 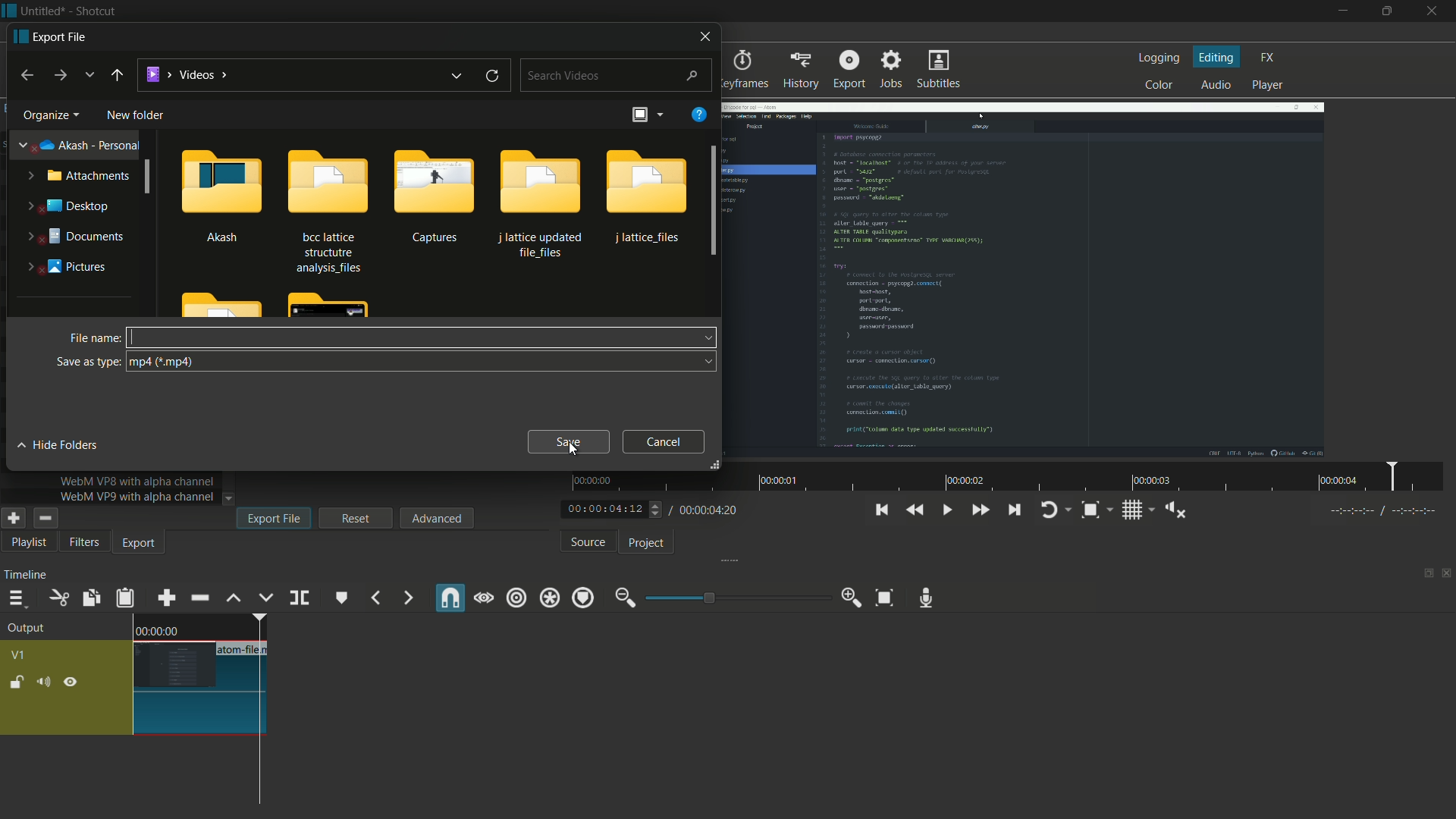 I want to click on keyframes, so click(x=743, y=70).